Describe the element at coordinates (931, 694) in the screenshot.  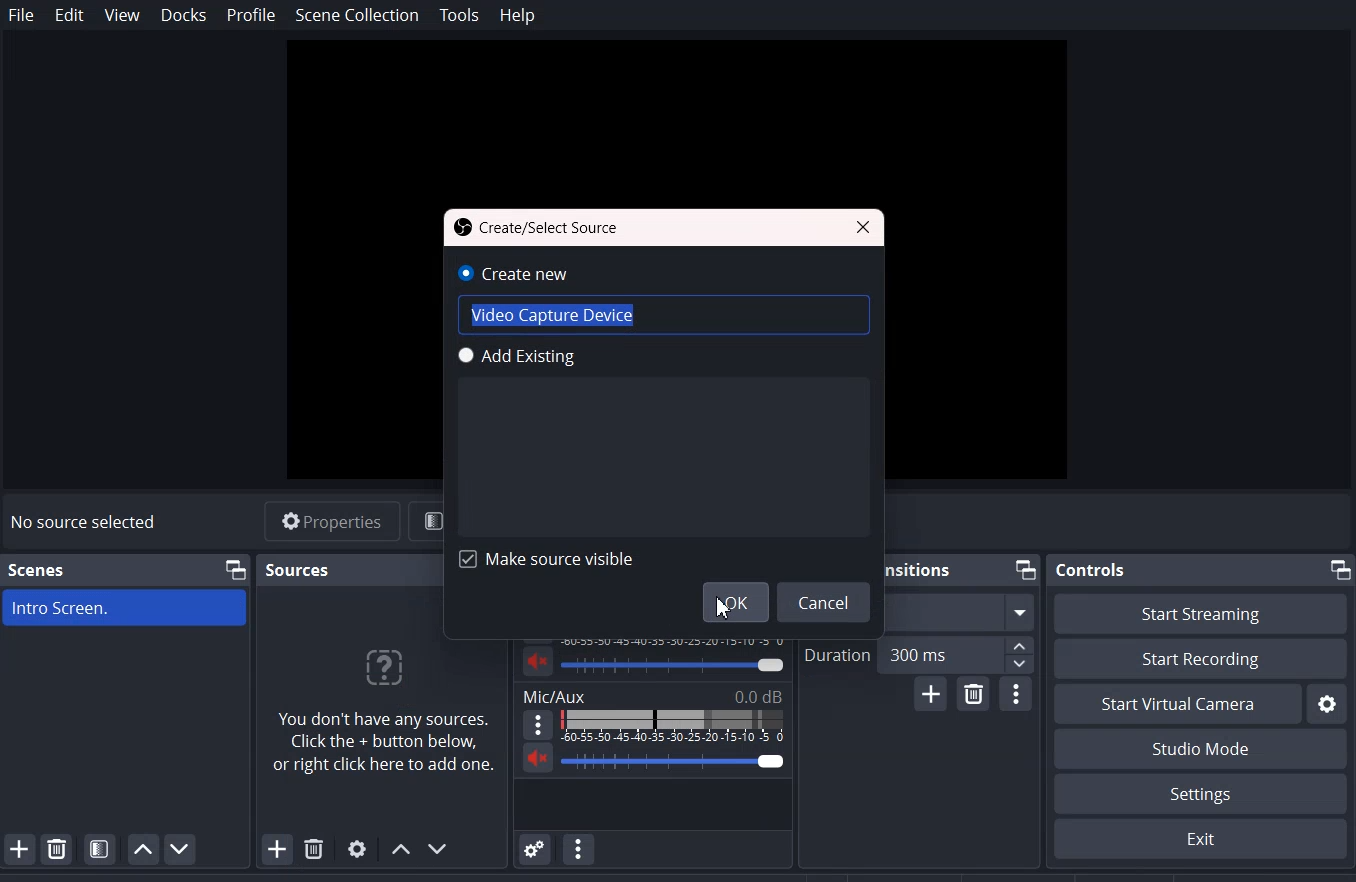
I see `Add Configurable transition` at that location.